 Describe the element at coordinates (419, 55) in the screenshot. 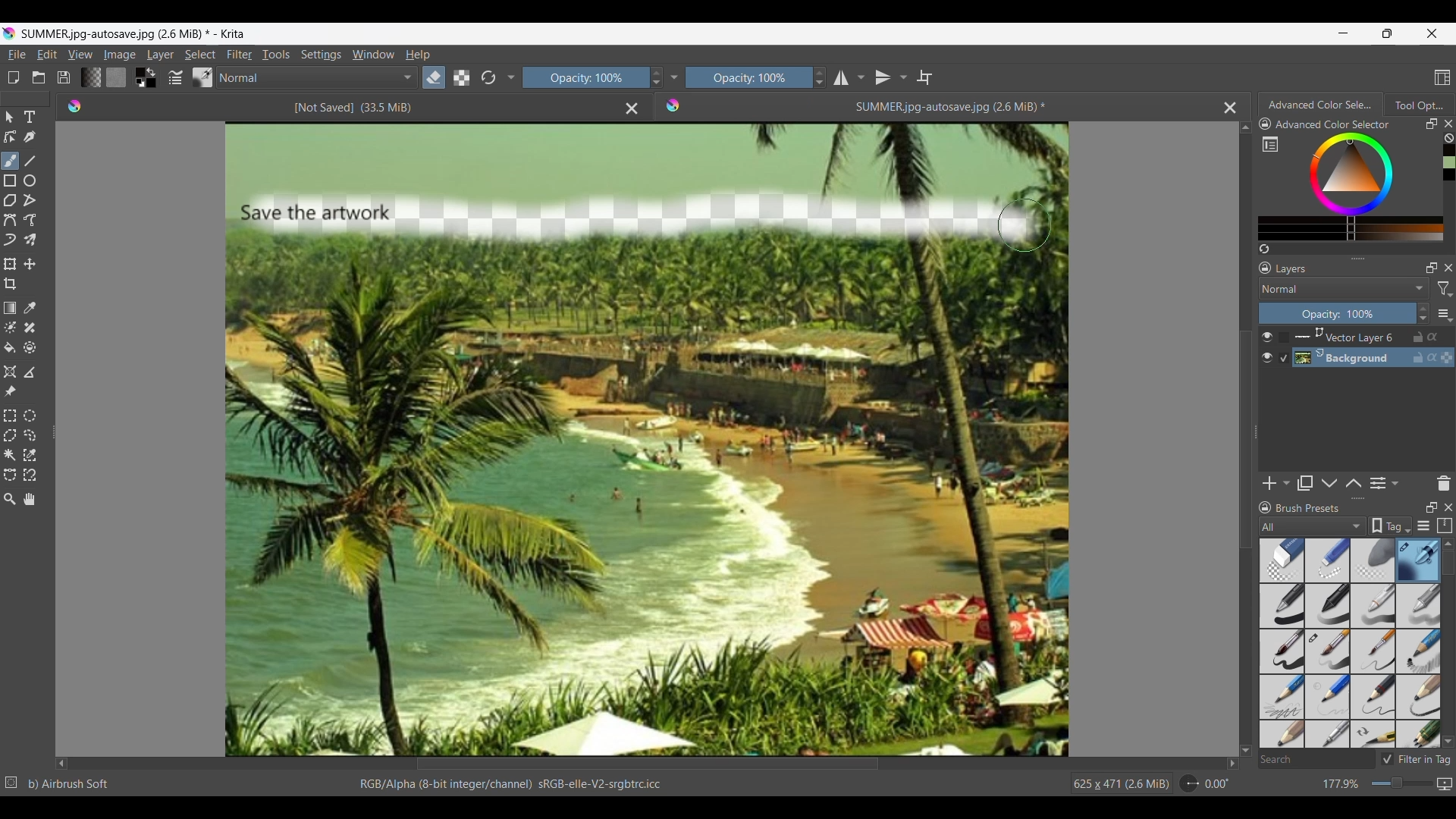

I see `Help` at that location.